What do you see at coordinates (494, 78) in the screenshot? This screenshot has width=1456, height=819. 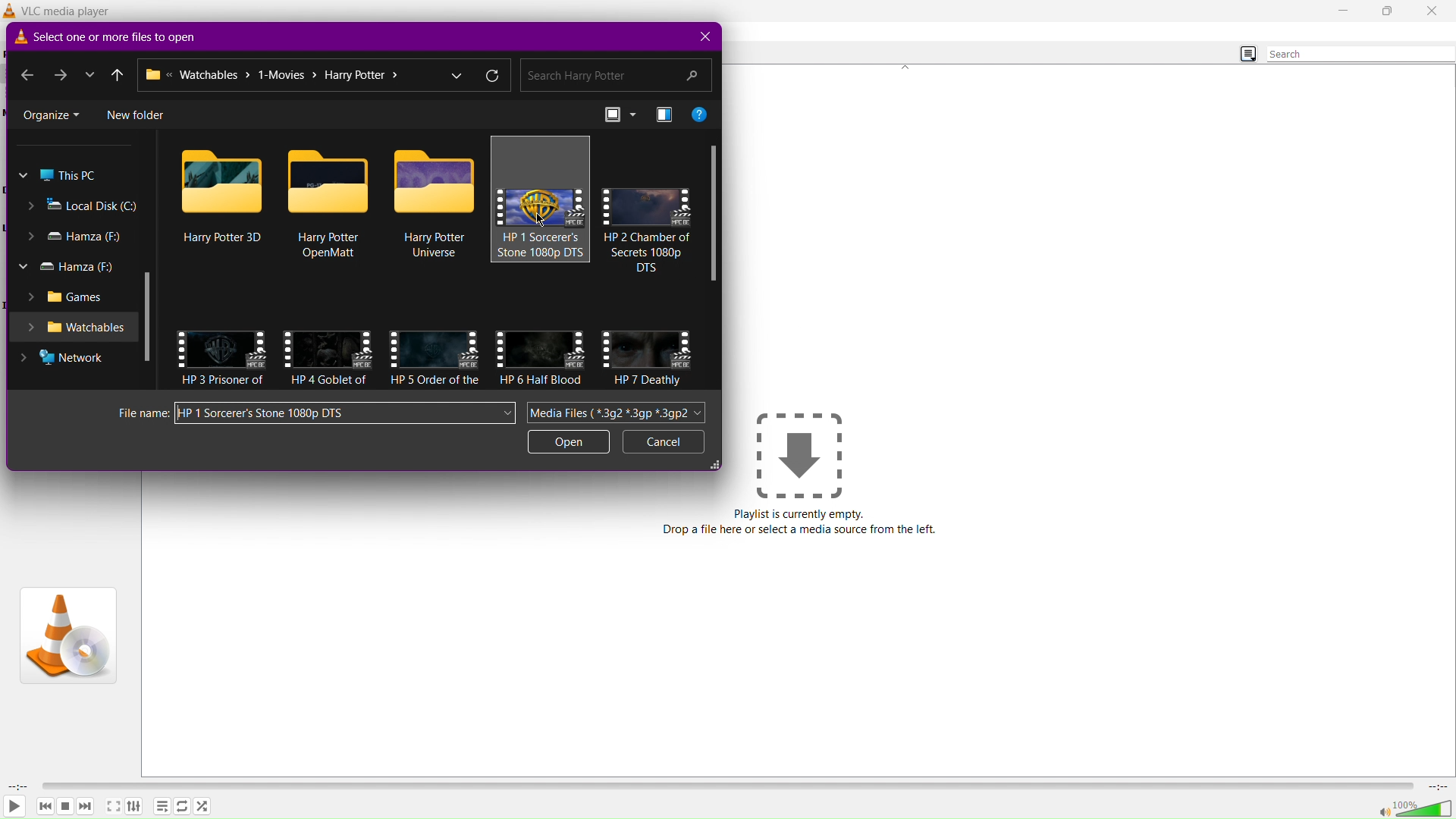 I see `refresh` at bounding box center [494, 78].